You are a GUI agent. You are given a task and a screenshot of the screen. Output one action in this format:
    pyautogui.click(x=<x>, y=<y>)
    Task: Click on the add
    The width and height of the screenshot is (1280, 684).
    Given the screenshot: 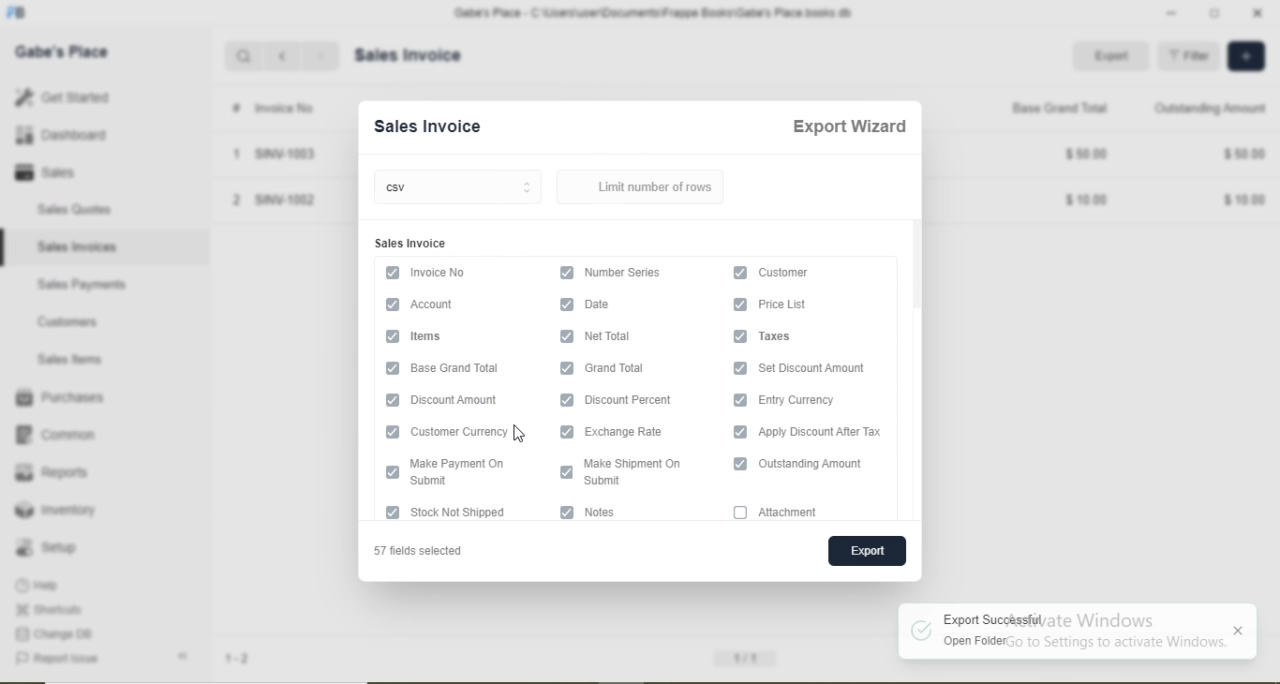 What is the action you would take?
    pyautogui.click(x=1244, y=56)
    